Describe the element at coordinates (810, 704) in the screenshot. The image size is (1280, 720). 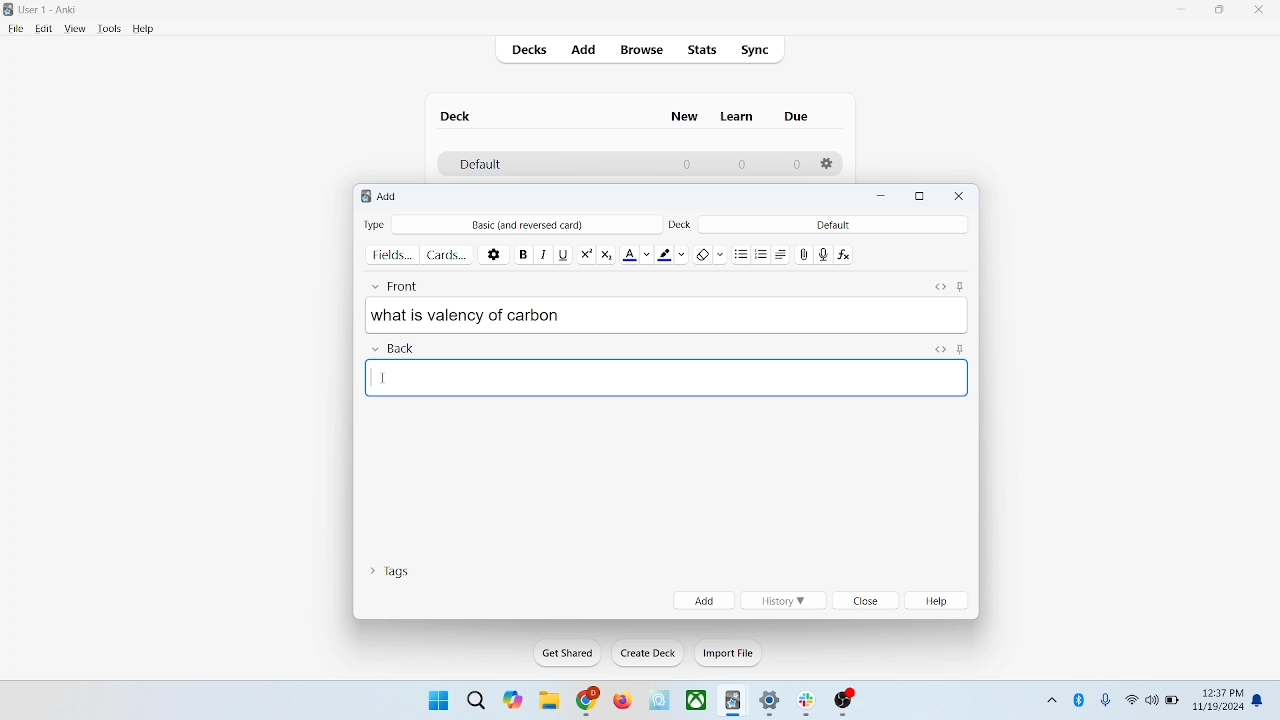
I see `icon` at that location.